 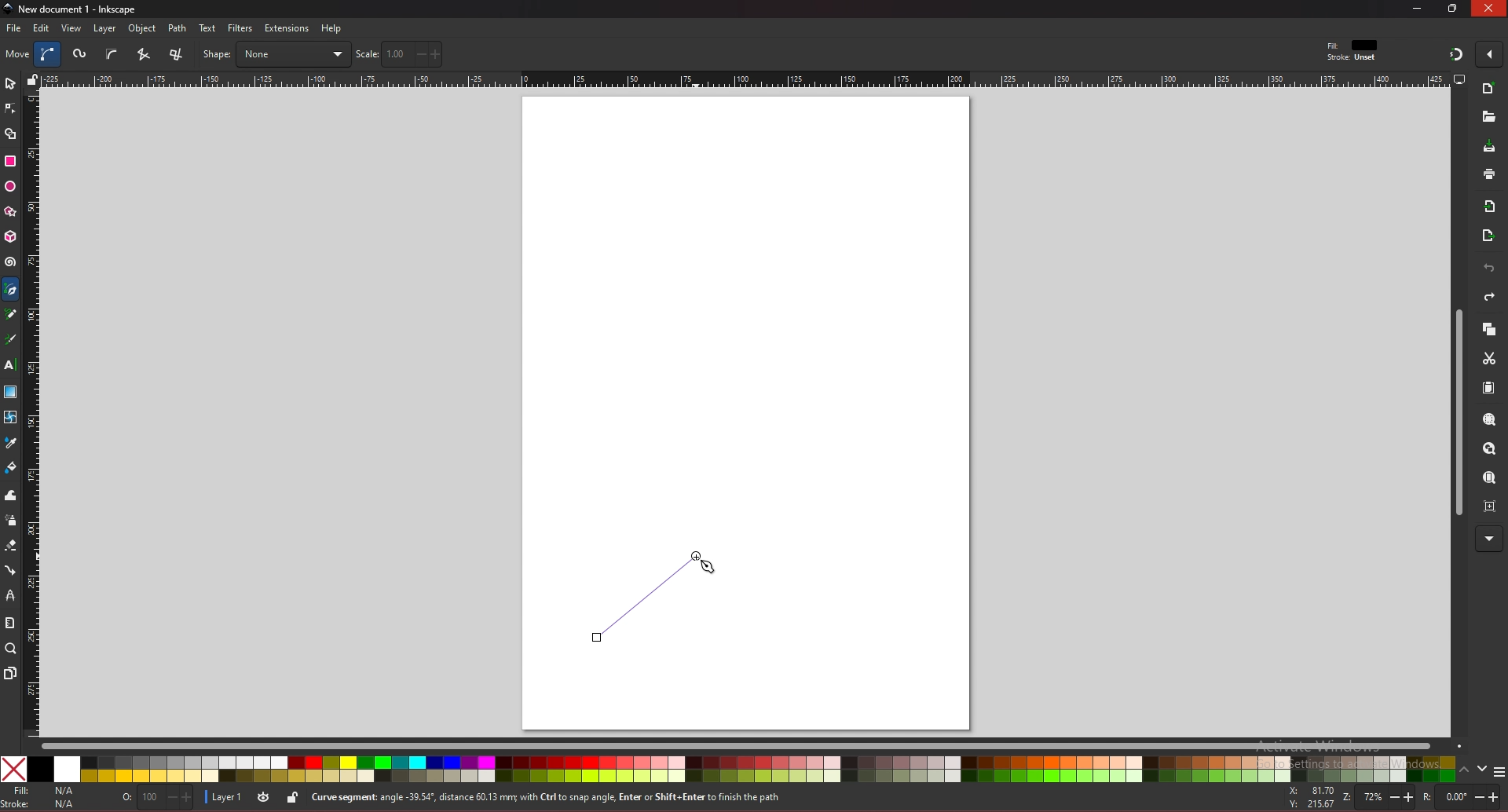 What do you see at coordinates (11, 648) in the screenshot?
I see `zoom` at bounding box center [11, 648].